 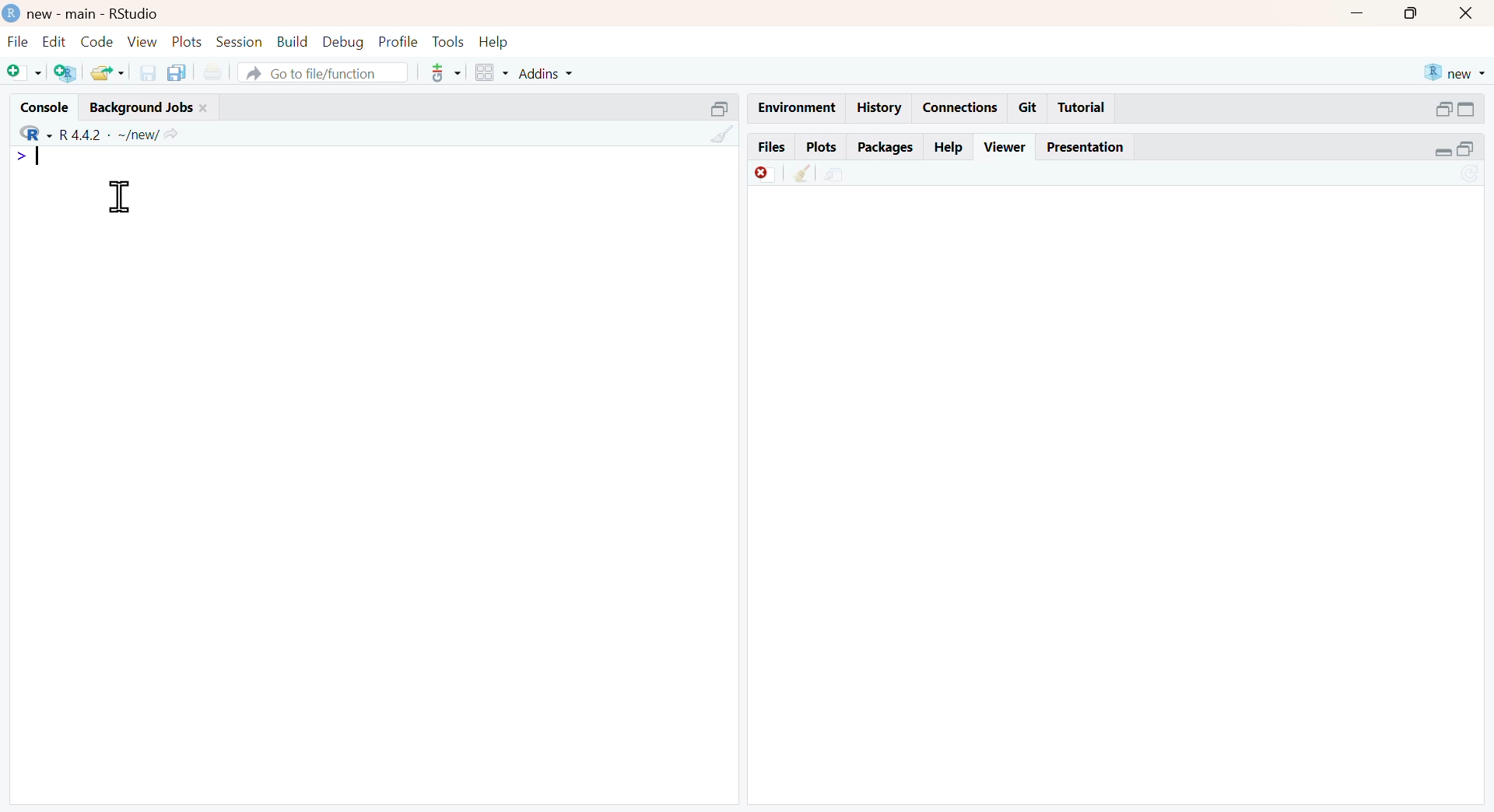 What do you see at coordinates (1466, 149) in the screenshot?
I see `open in separate window` at bounding box center [1466, 149].